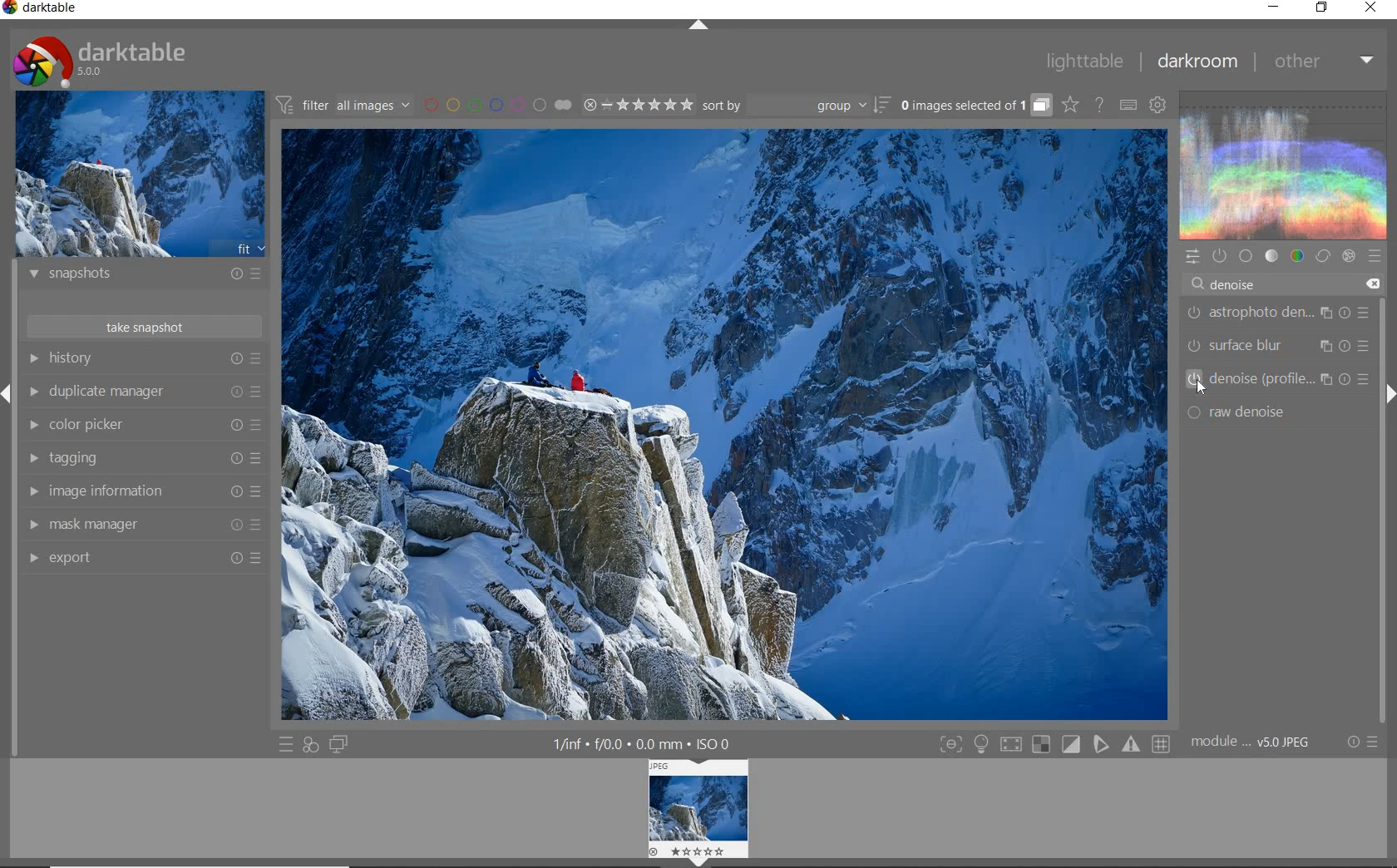 This screenshot has height=868, width=1397. I want to click on quick access for applying any of your styles, so click(311, 747).